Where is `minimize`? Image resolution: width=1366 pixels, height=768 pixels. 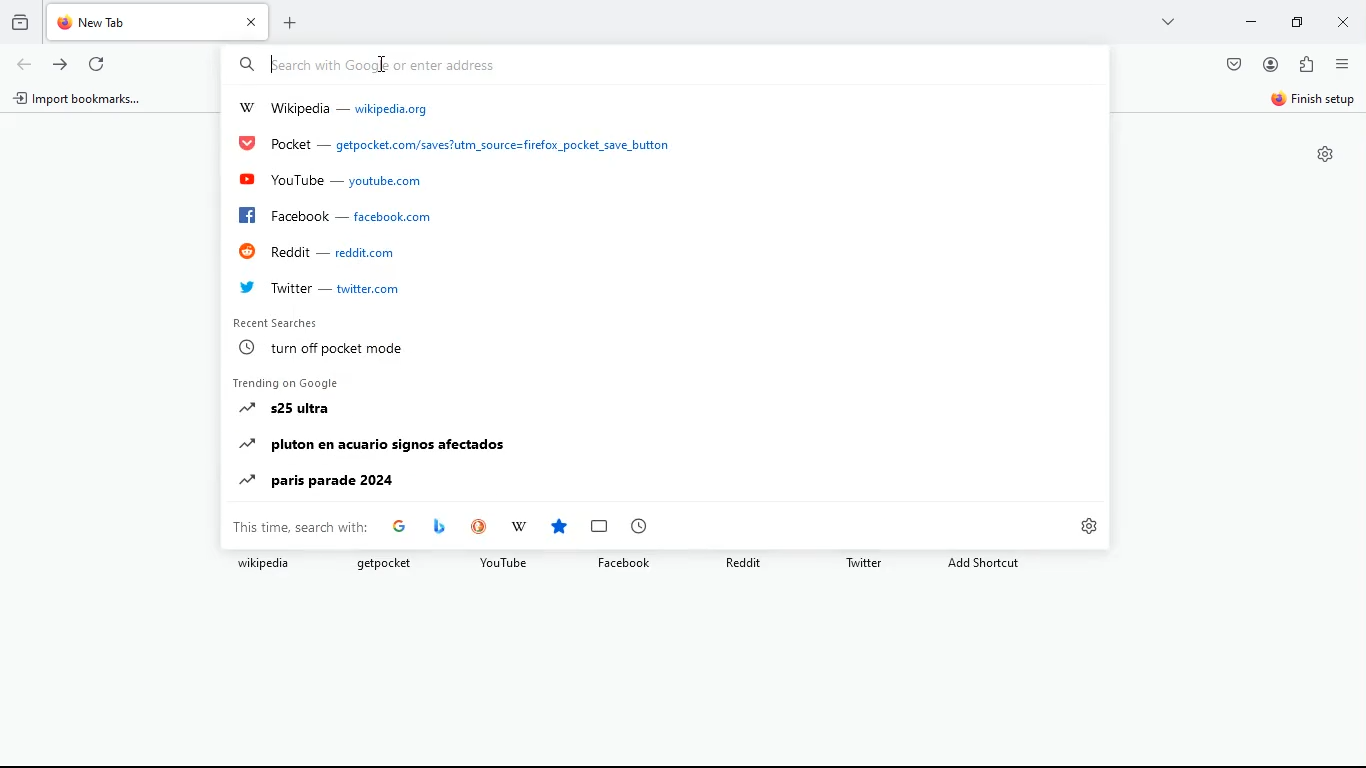 minimize is located at coordinates (1248, 23).